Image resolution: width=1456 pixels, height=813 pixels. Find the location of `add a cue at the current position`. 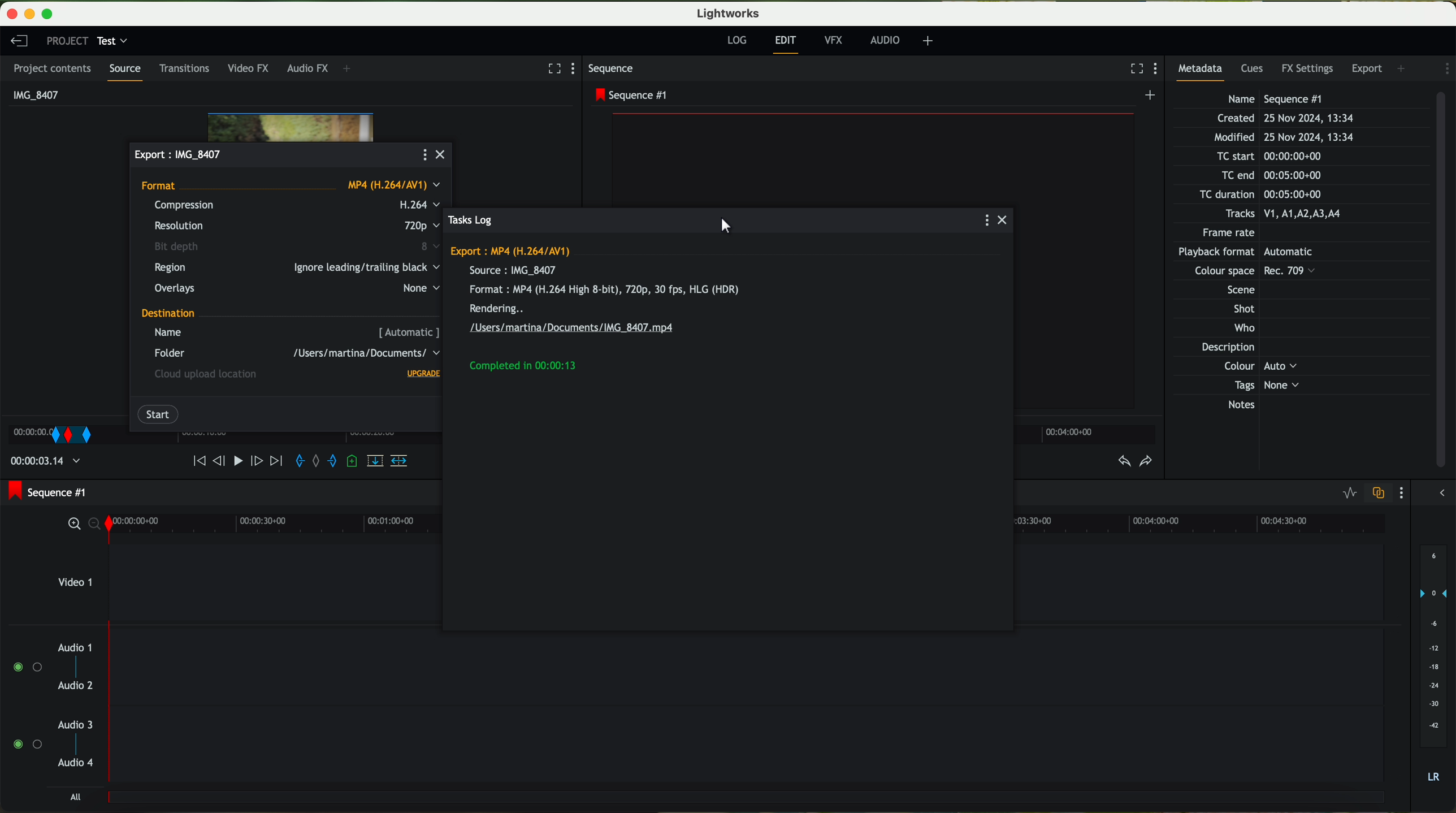

add a cue at the current position is located at coordinates (353, 462).